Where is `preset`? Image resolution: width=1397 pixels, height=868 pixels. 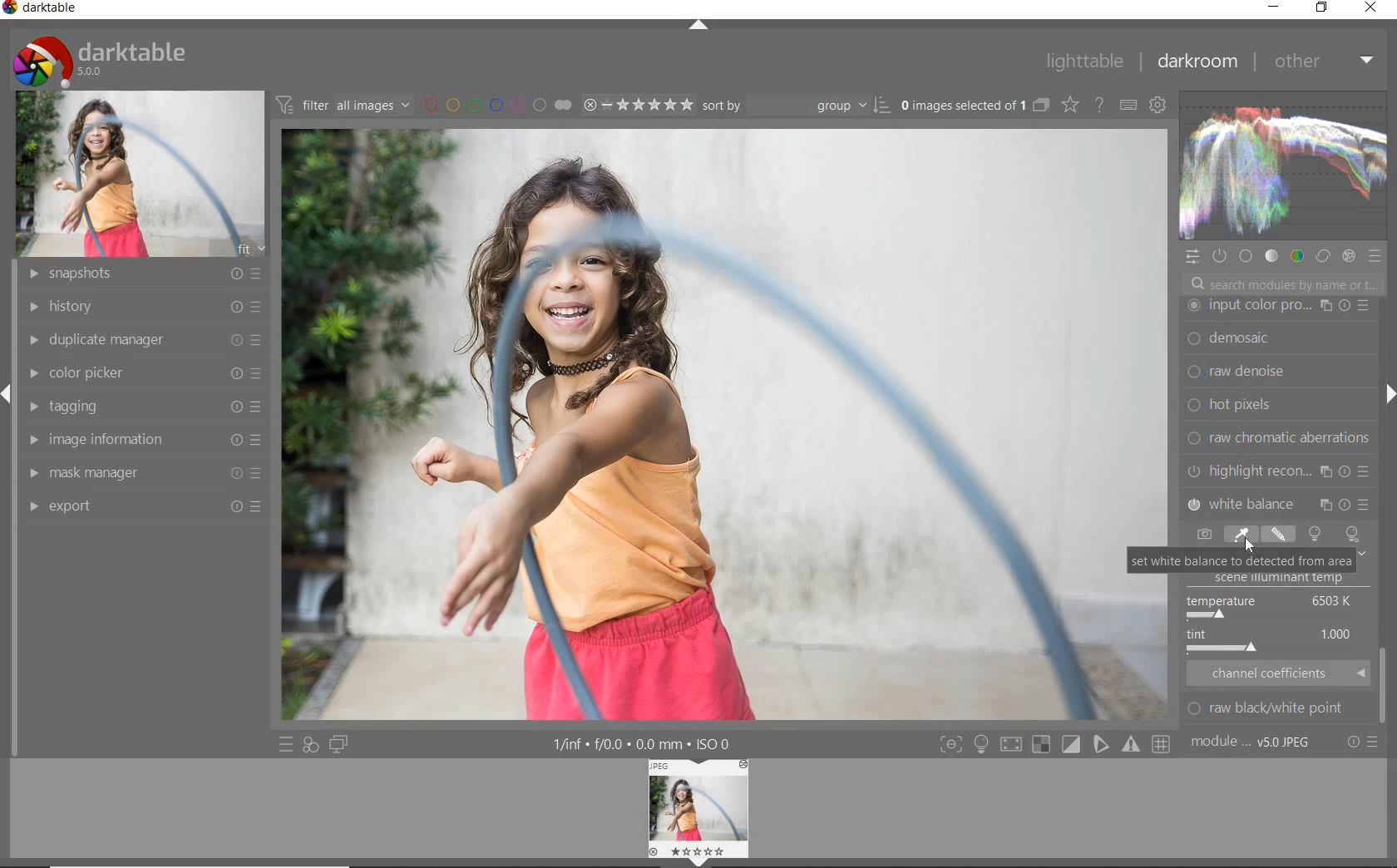 preset is located at coordinates (1377, 259).